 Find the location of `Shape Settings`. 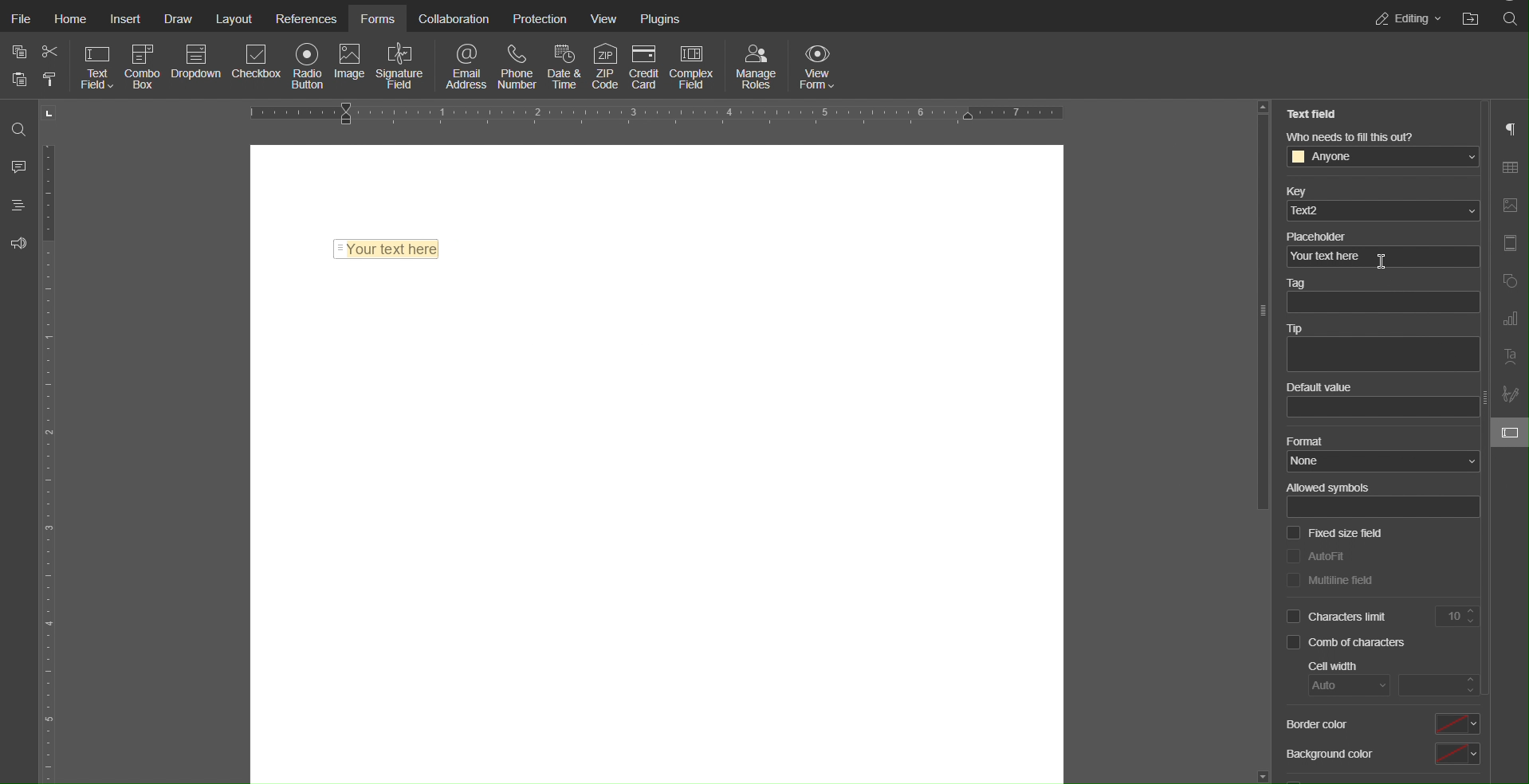

Shape Settings is located at coordinates (1508, 282).